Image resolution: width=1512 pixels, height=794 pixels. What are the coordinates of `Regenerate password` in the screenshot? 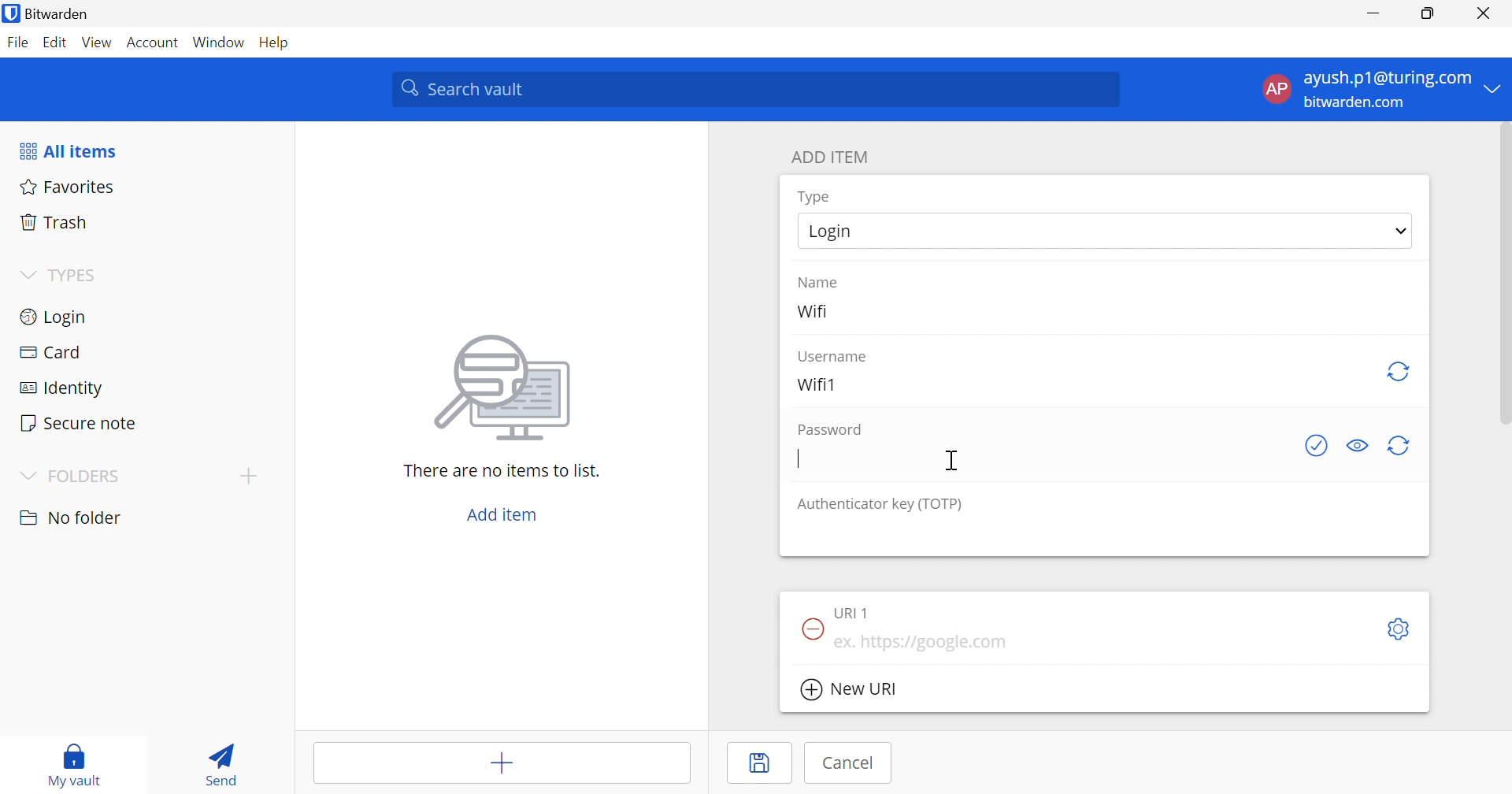 It's located at (1400, 447).